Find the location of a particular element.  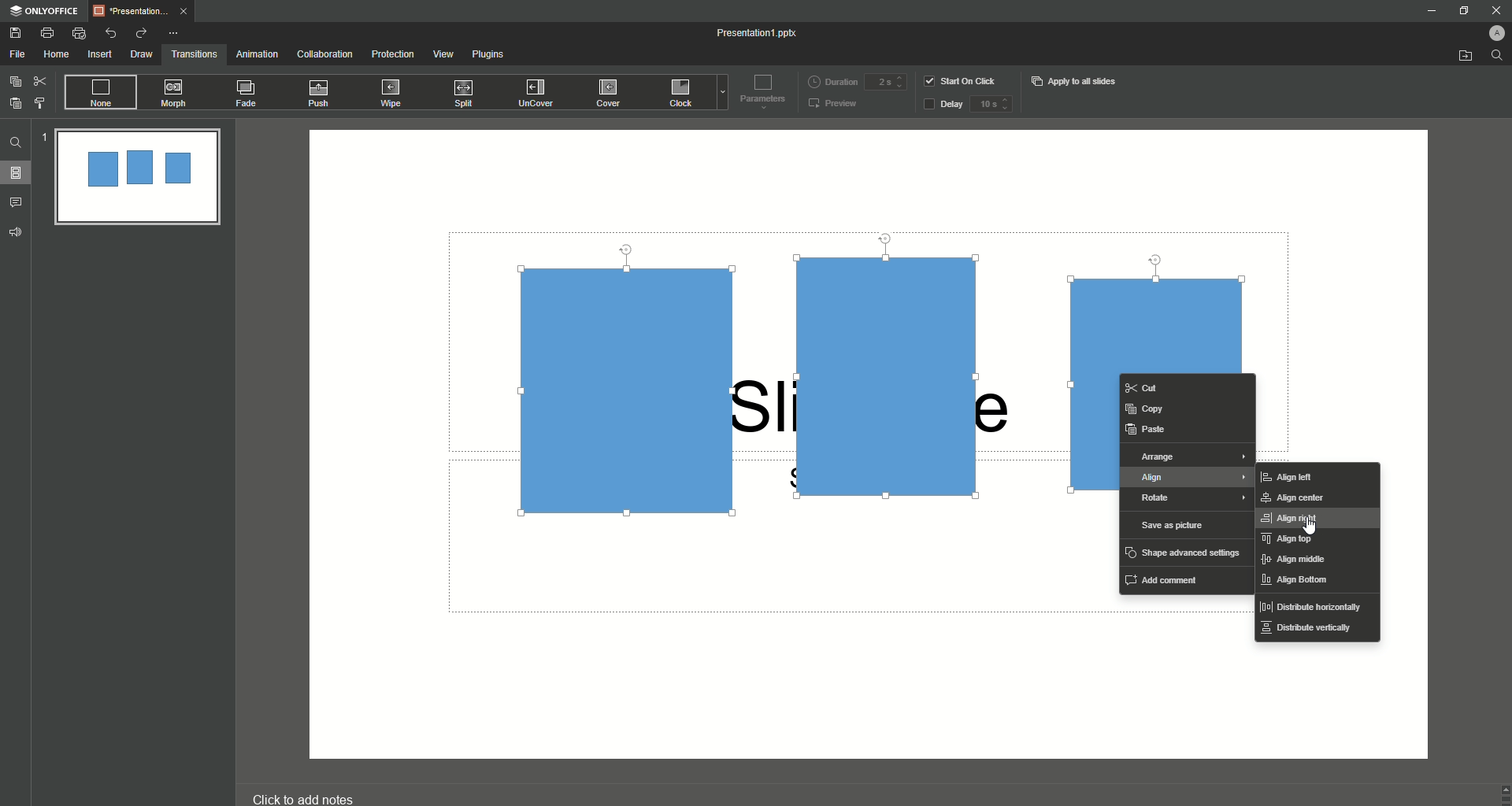

Save as picture is located at coordinates (1174, 526).